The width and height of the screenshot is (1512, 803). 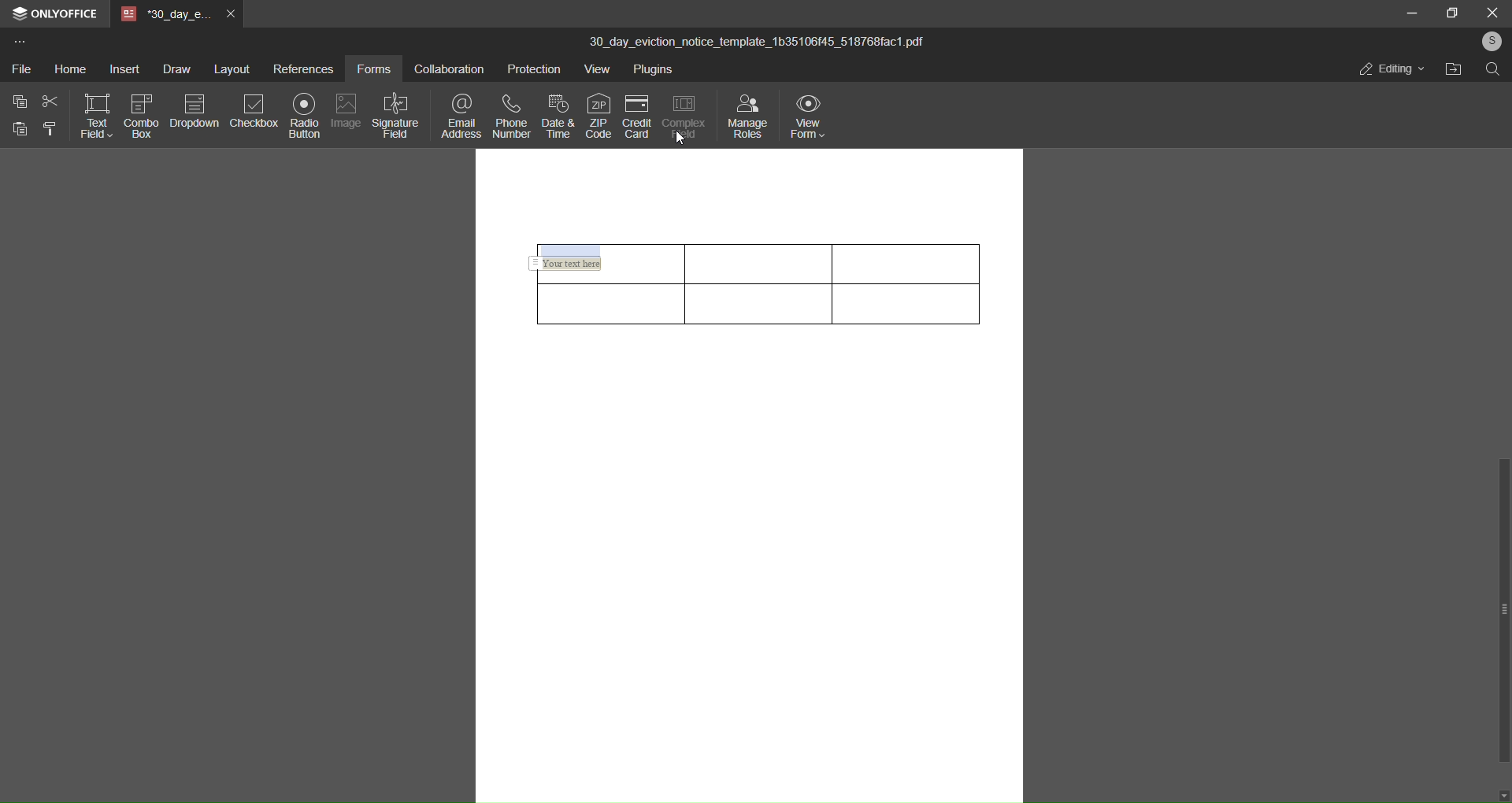 What do you see at coordinates (54, 131) in the screenshot?
I see `format` at bounding box center [54, 131].